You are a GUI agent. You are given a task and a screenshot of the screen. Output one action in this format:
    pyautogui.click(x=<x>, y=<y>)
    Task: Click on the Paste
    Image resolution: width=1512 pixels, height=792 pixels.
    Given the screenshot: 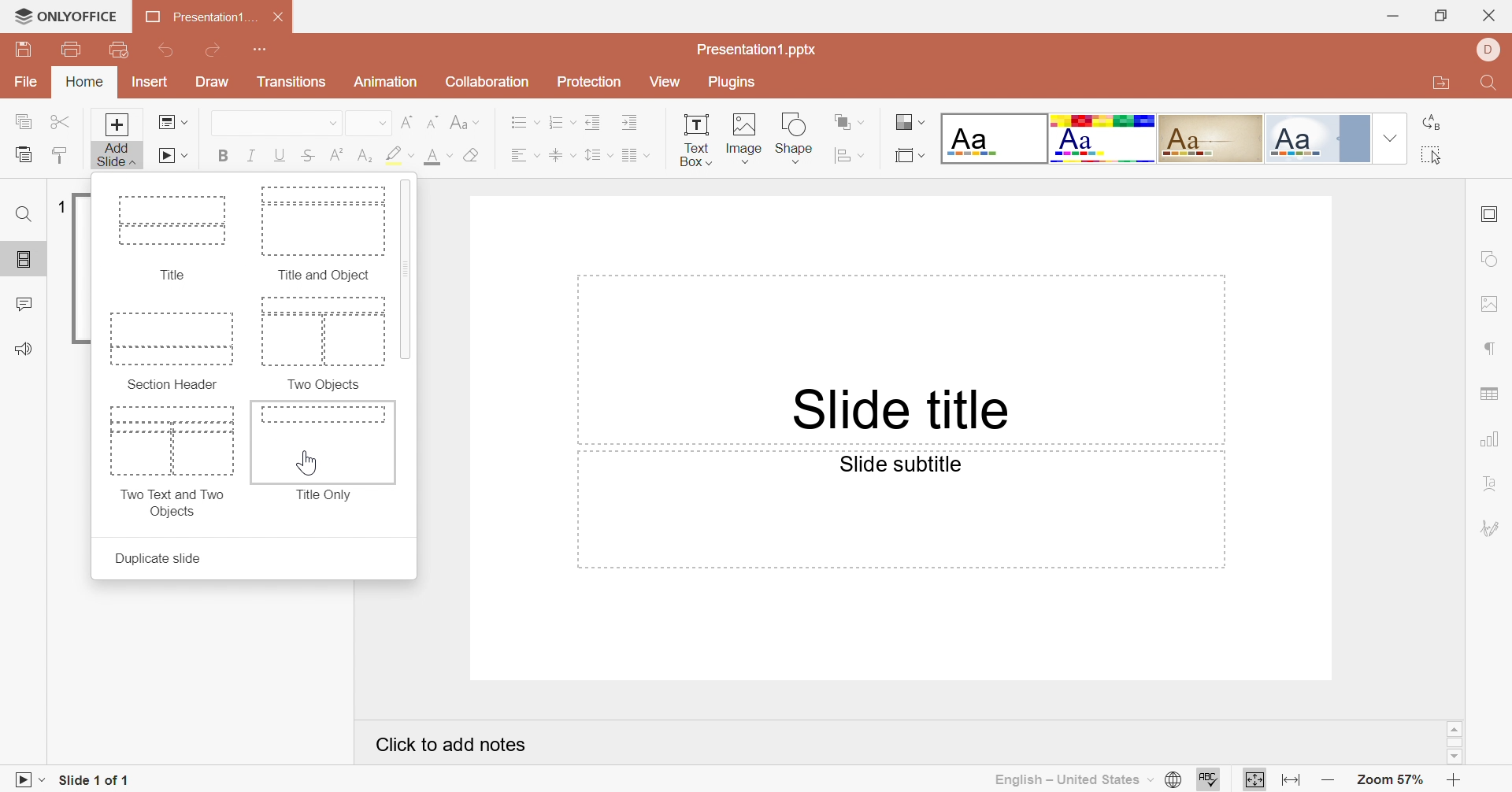 What is the action you would take?
    pyautogui.click(x=23, y=156)
    